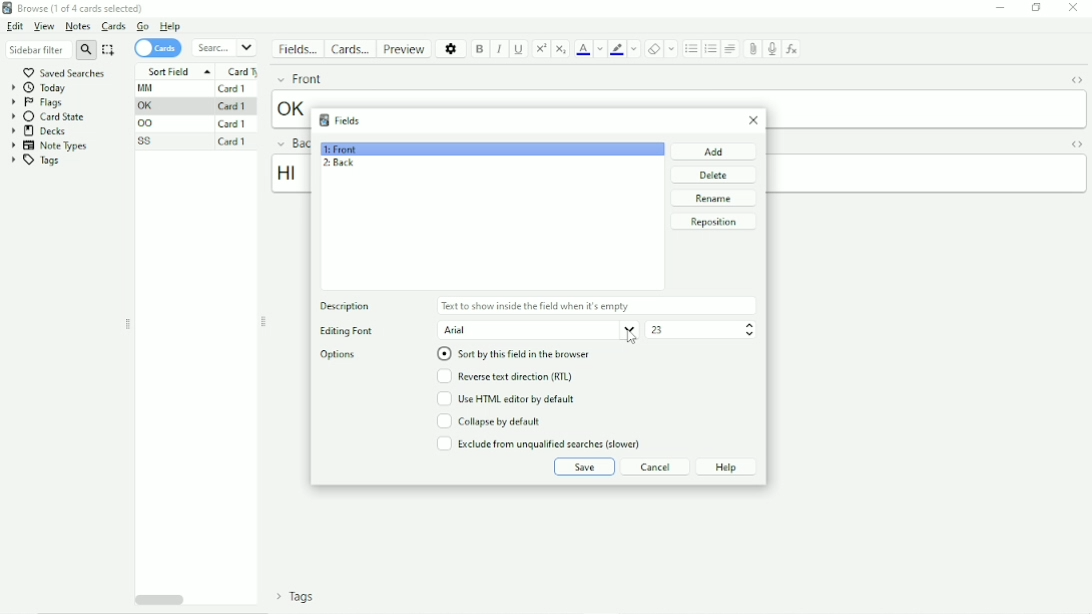 This screenshot has height=614, width=1092. I want to click on Resize, so click(265, 321).